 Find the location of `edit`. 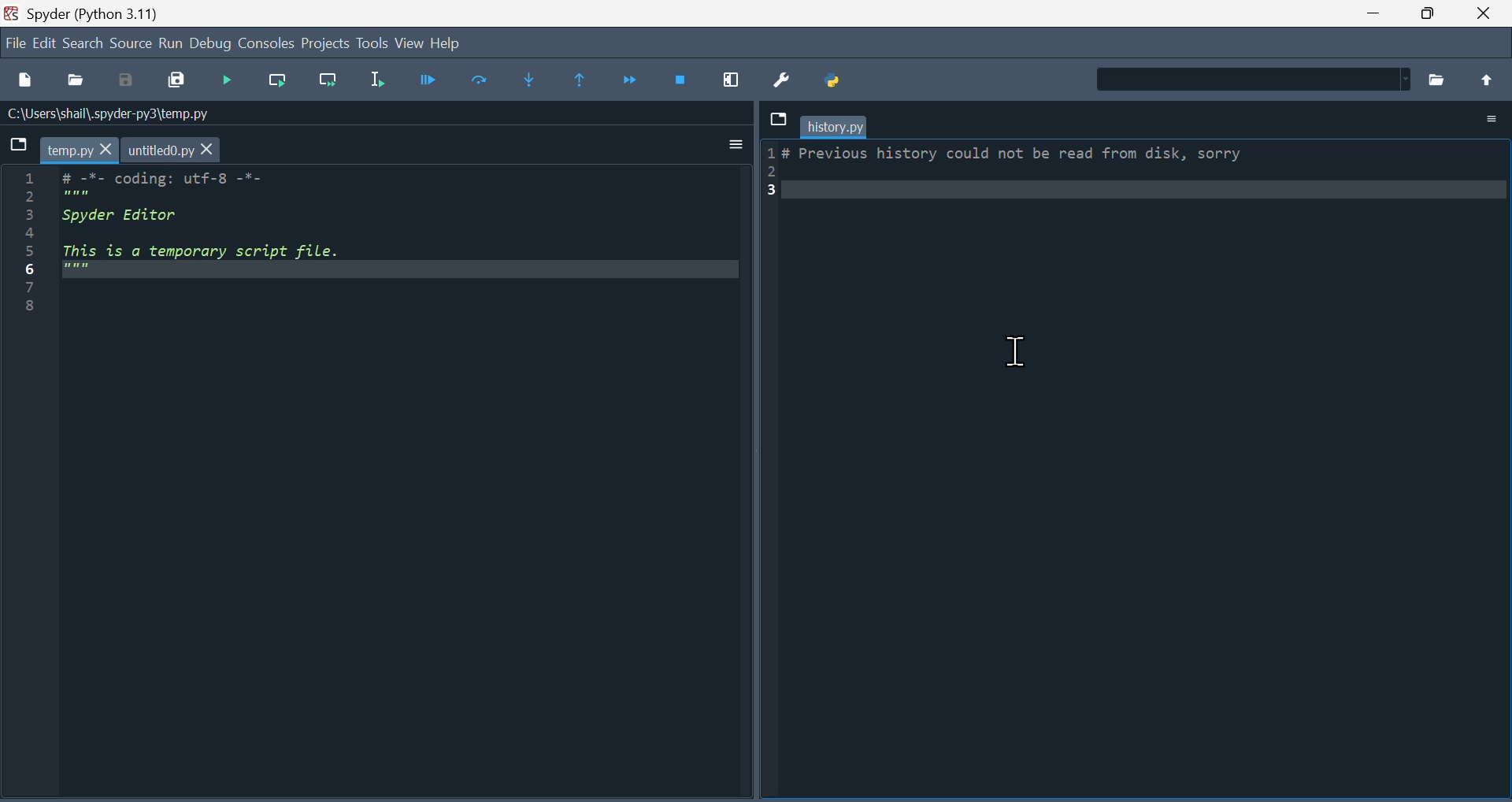

edit is located at coordinates (44, 43).